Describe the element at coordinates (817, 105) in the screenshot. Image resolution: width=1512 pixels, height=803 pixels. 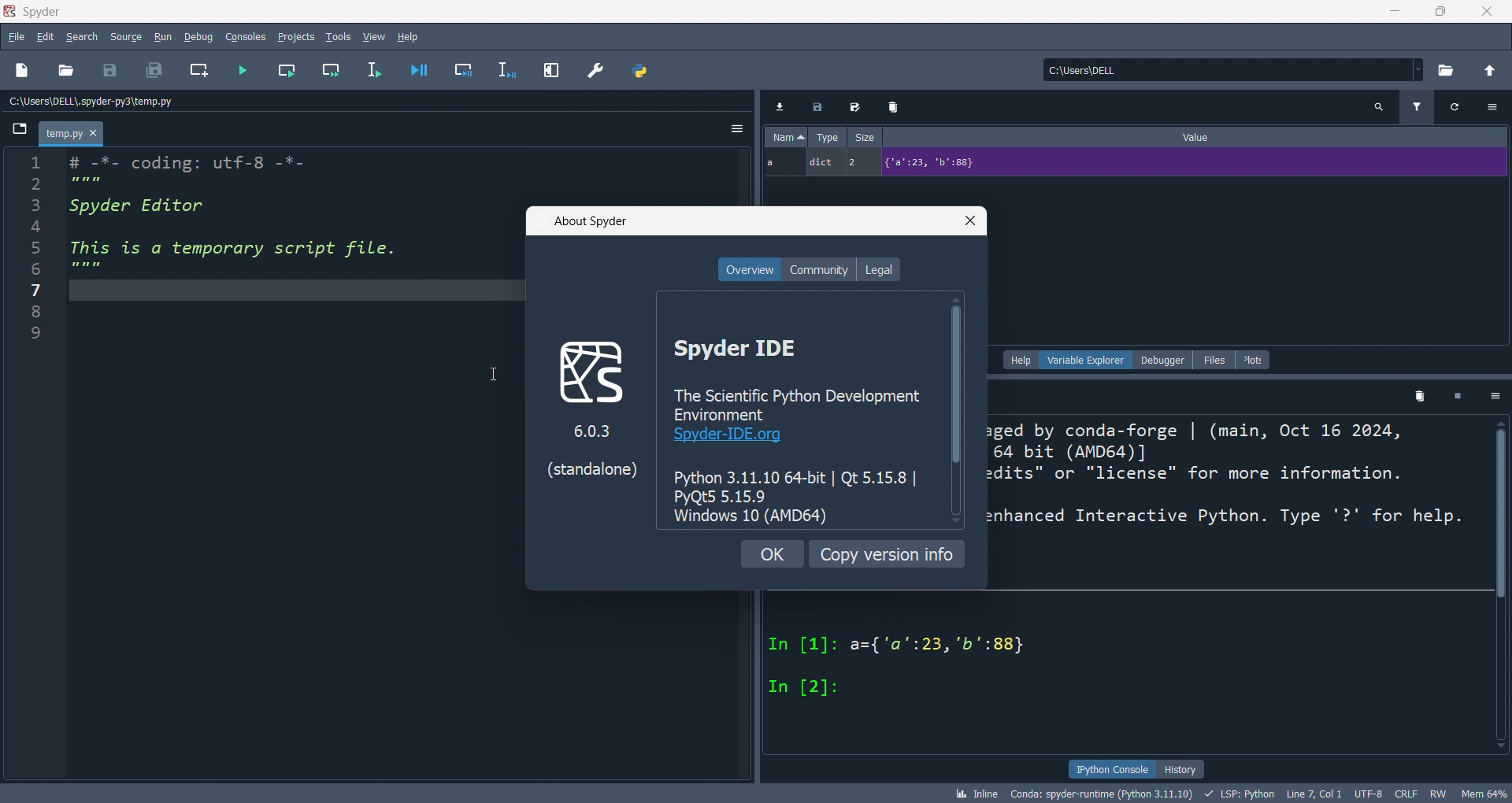
I see `Export` at that location.